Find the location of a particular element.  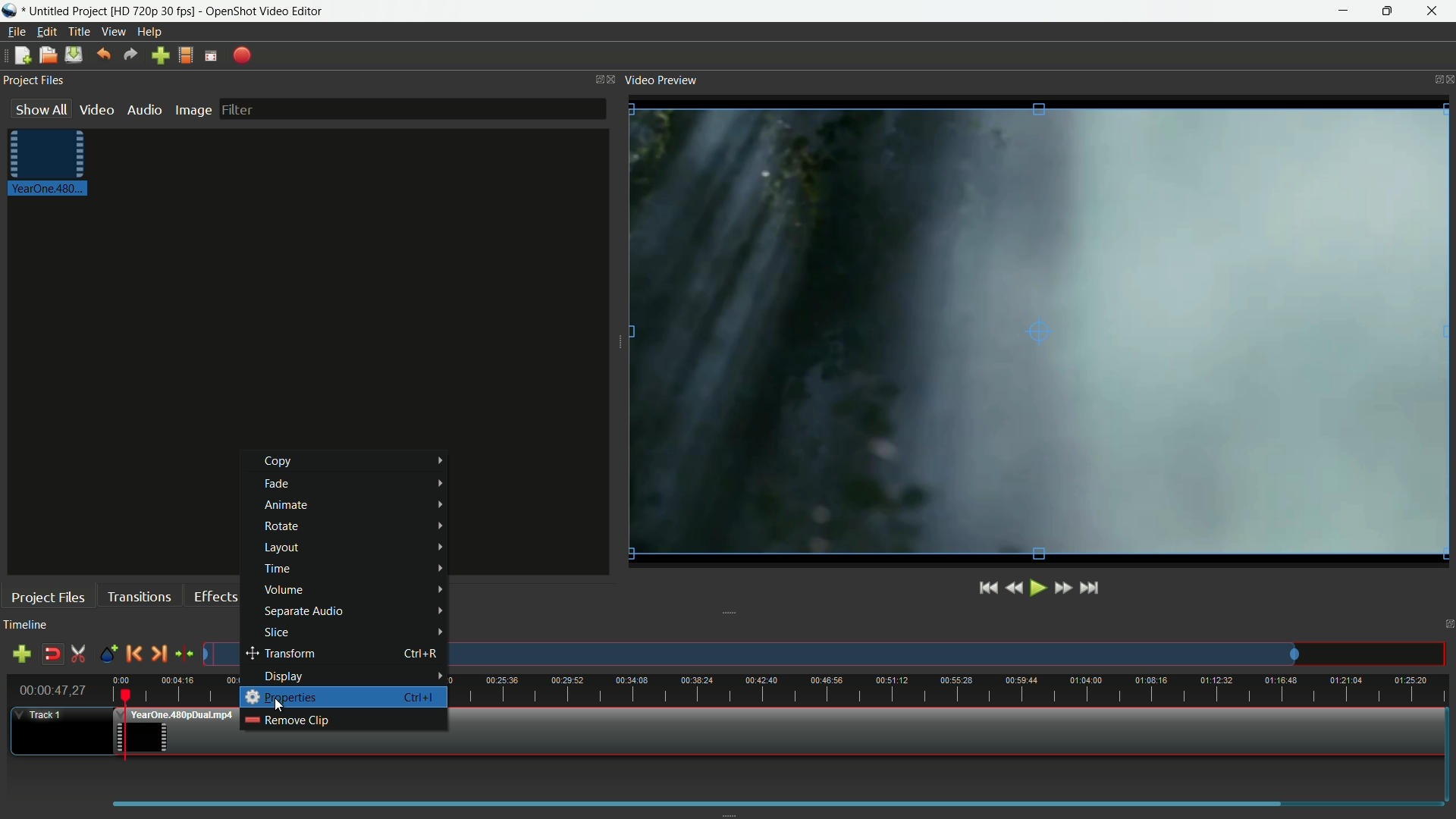

video in timeline is located at coordinates (779, 745).